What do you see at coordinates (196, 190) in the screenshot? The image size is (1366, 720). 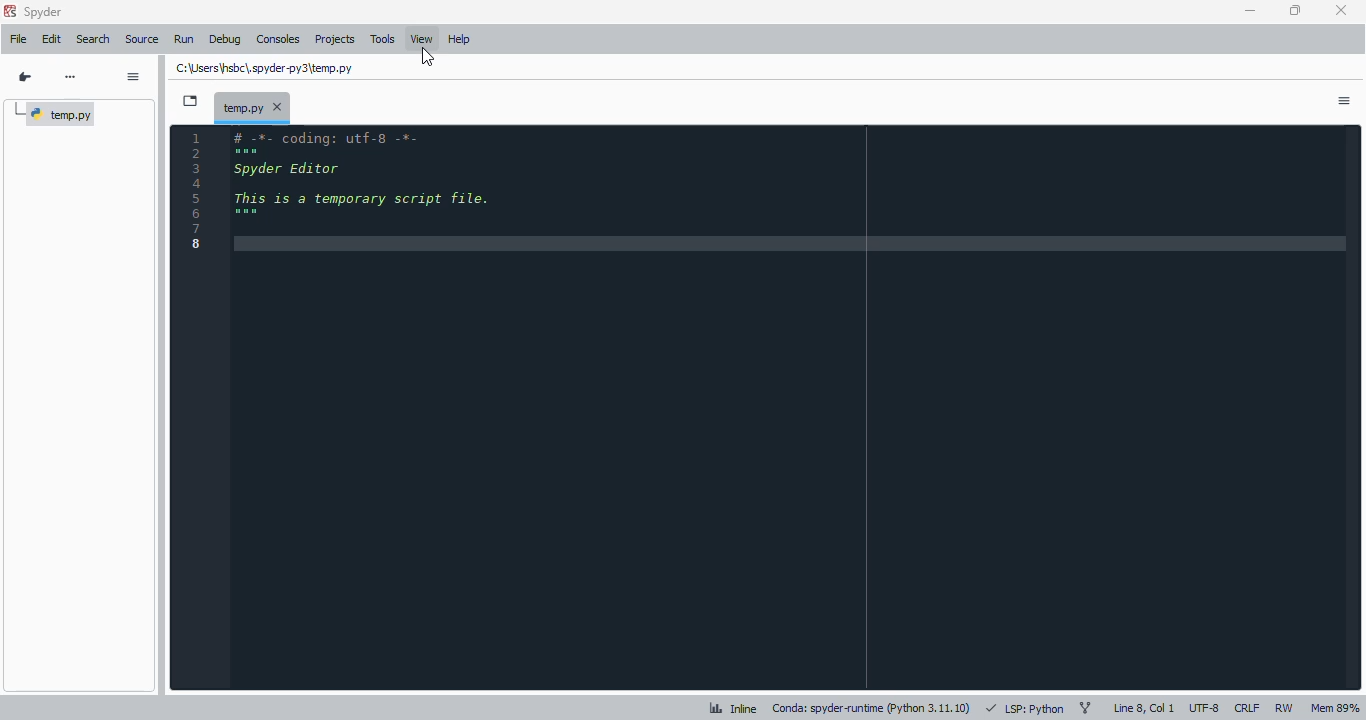 I see `line numbers` at bounding box center [196, 190].